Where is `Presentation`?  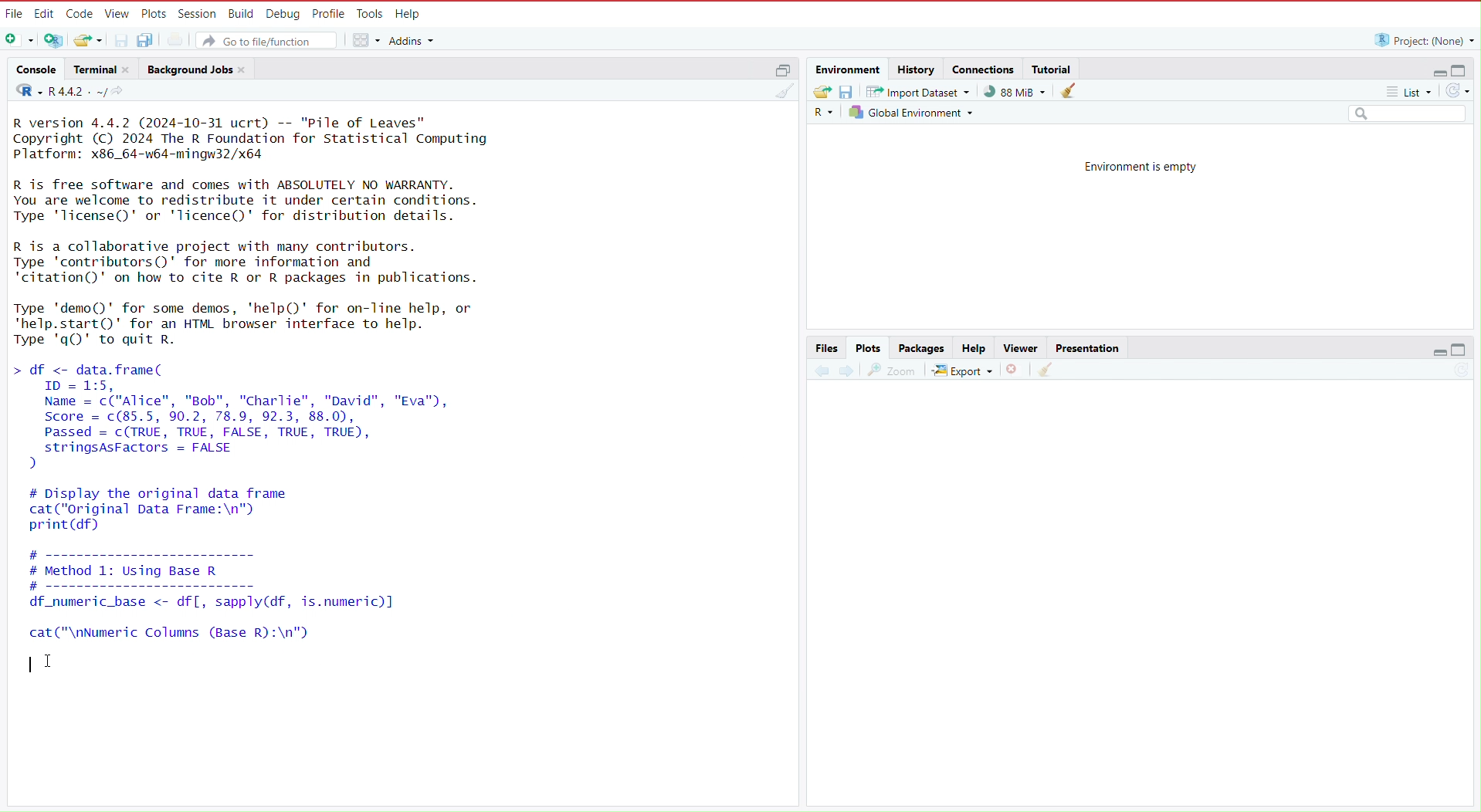 Presentation is located at coordinates (1087, 345).